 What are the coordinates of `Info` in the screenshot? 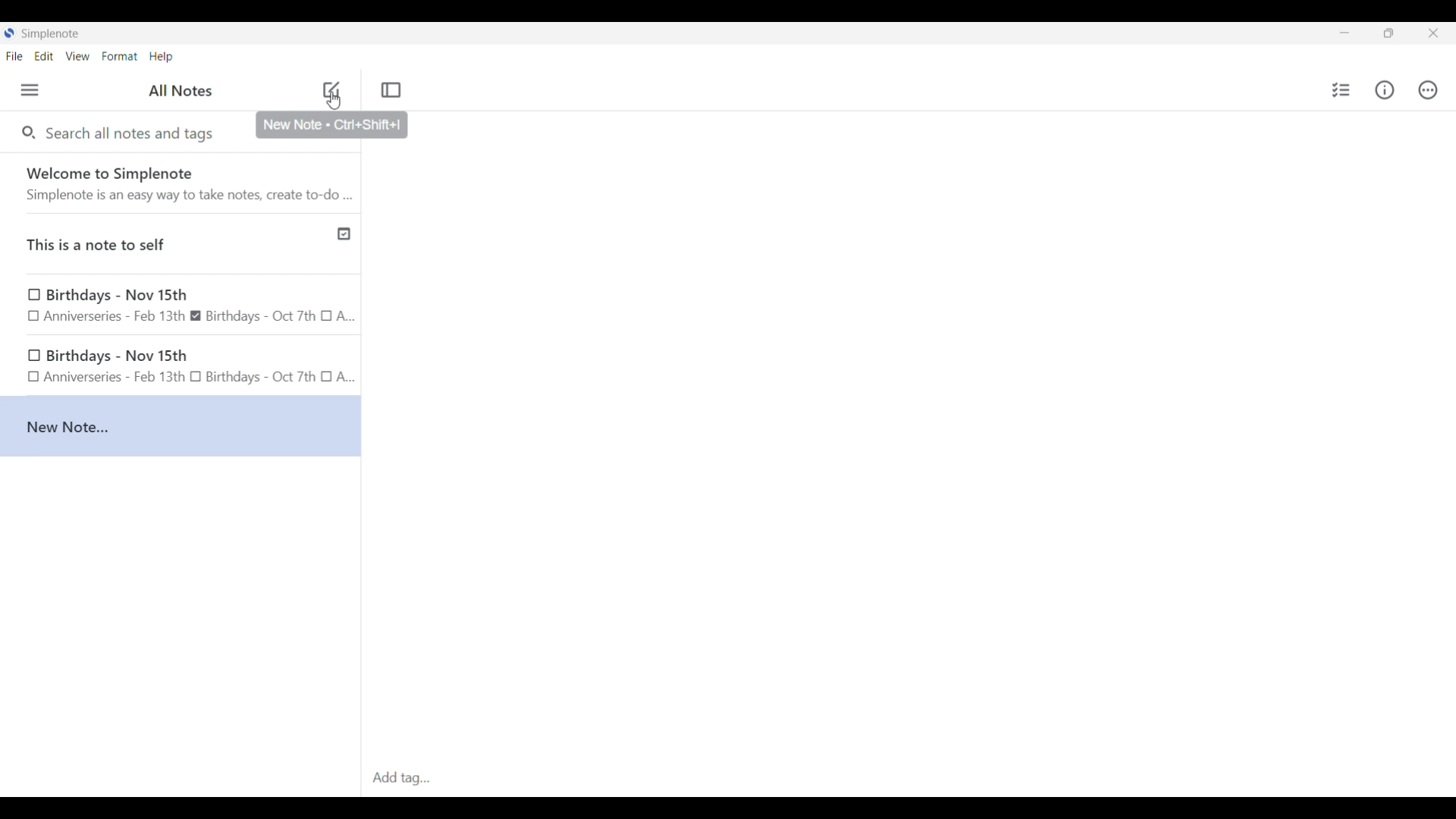 It's located at (1385, 89).